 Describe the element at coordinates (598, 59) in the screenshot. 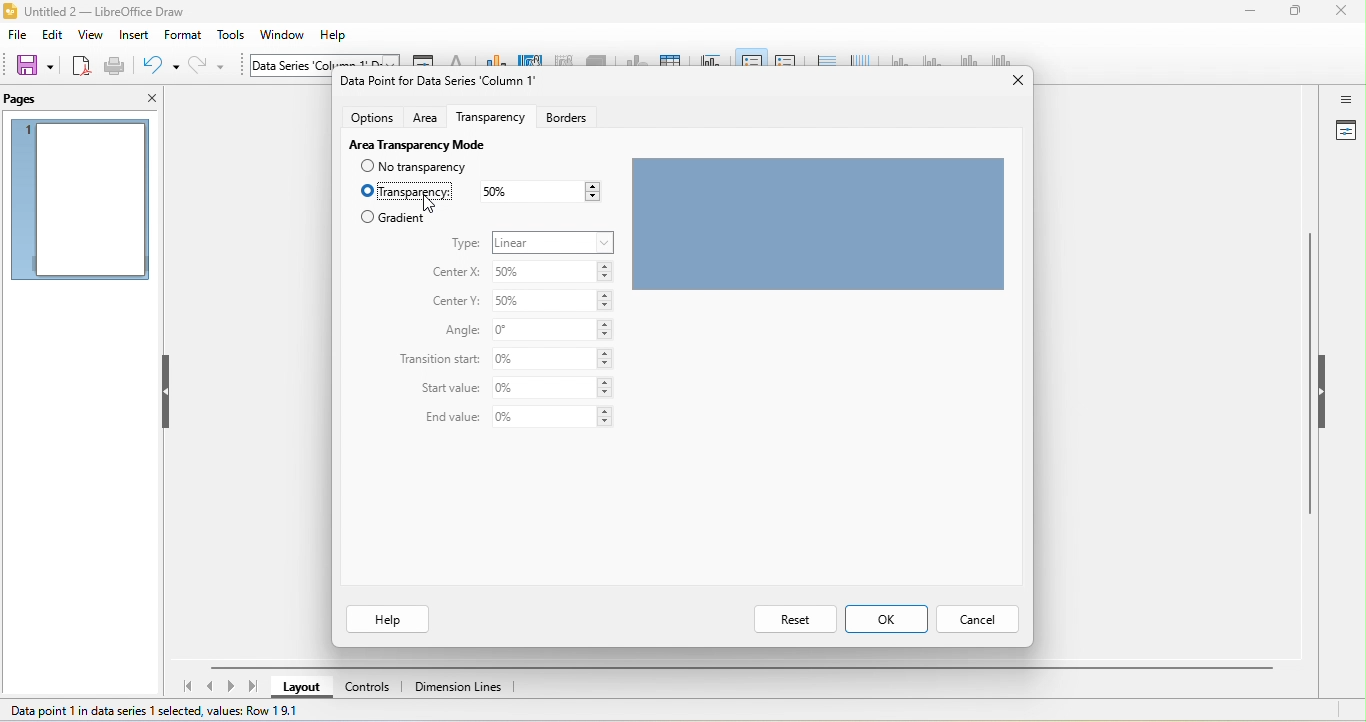

I see `3D view` at that location.